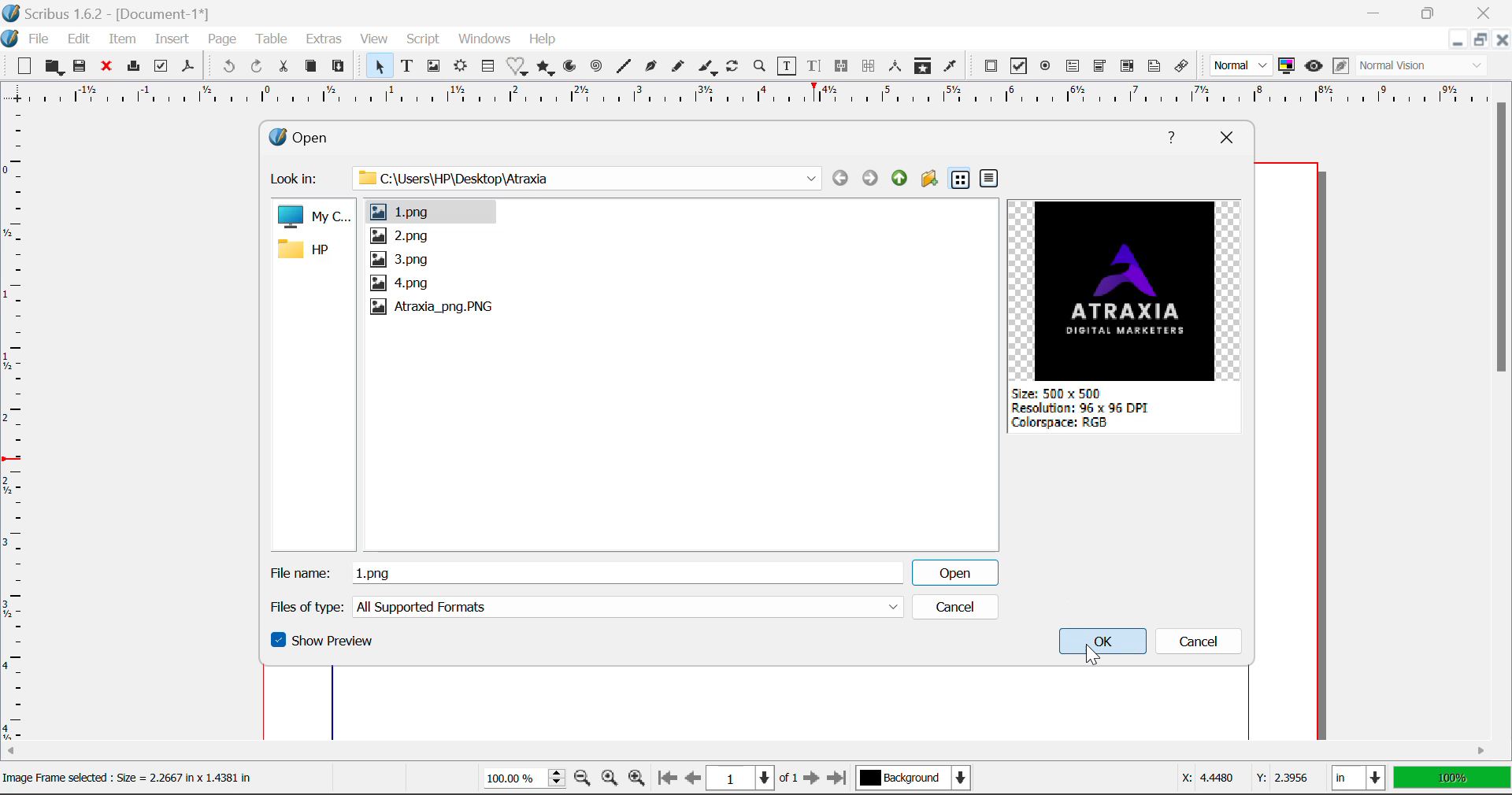 The width and height of the screenshot is (1512, 795). I want to click on File, so click(39, 39).